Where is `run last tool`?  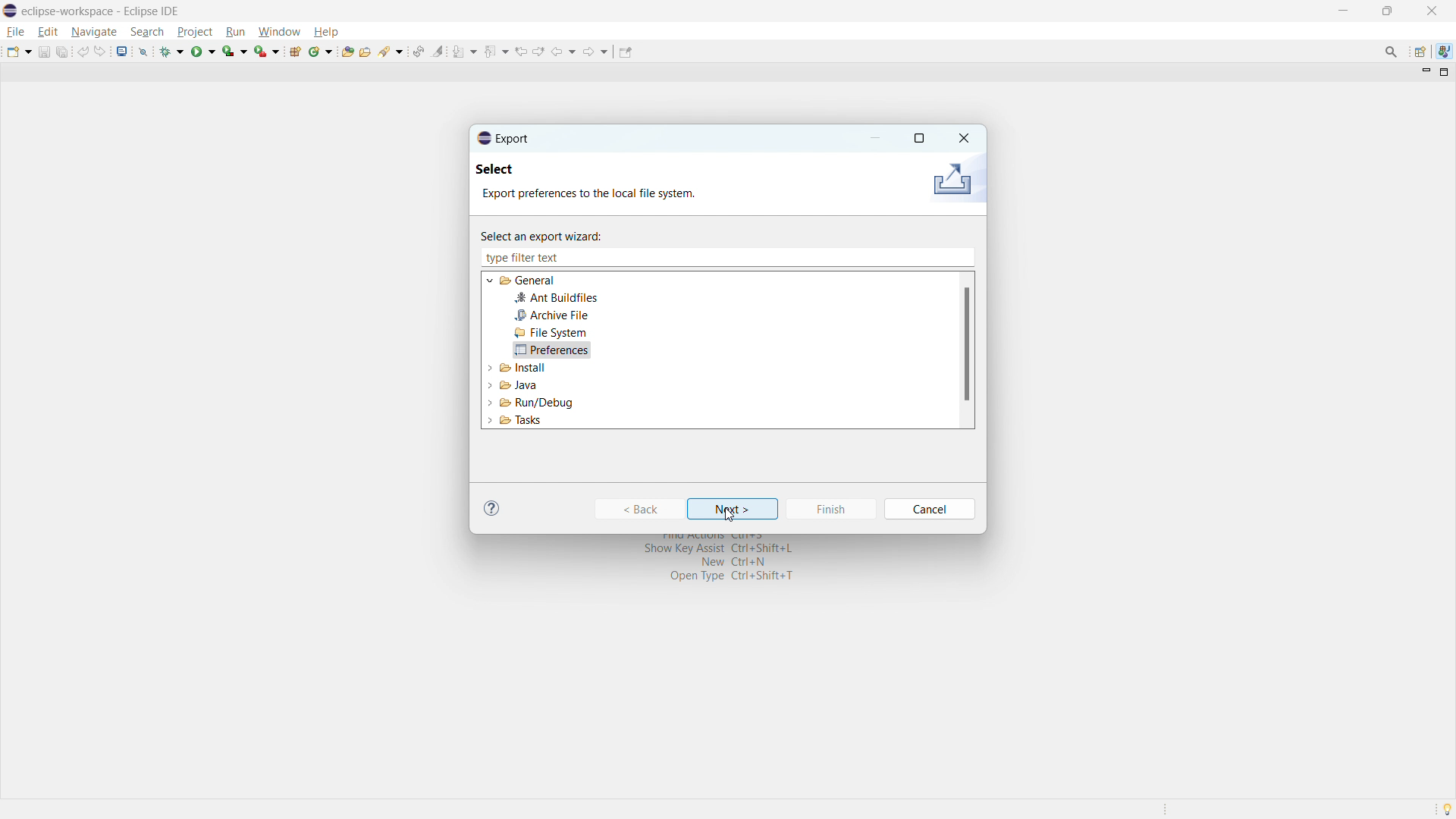 run last tool is located at coordinates (266, 50).